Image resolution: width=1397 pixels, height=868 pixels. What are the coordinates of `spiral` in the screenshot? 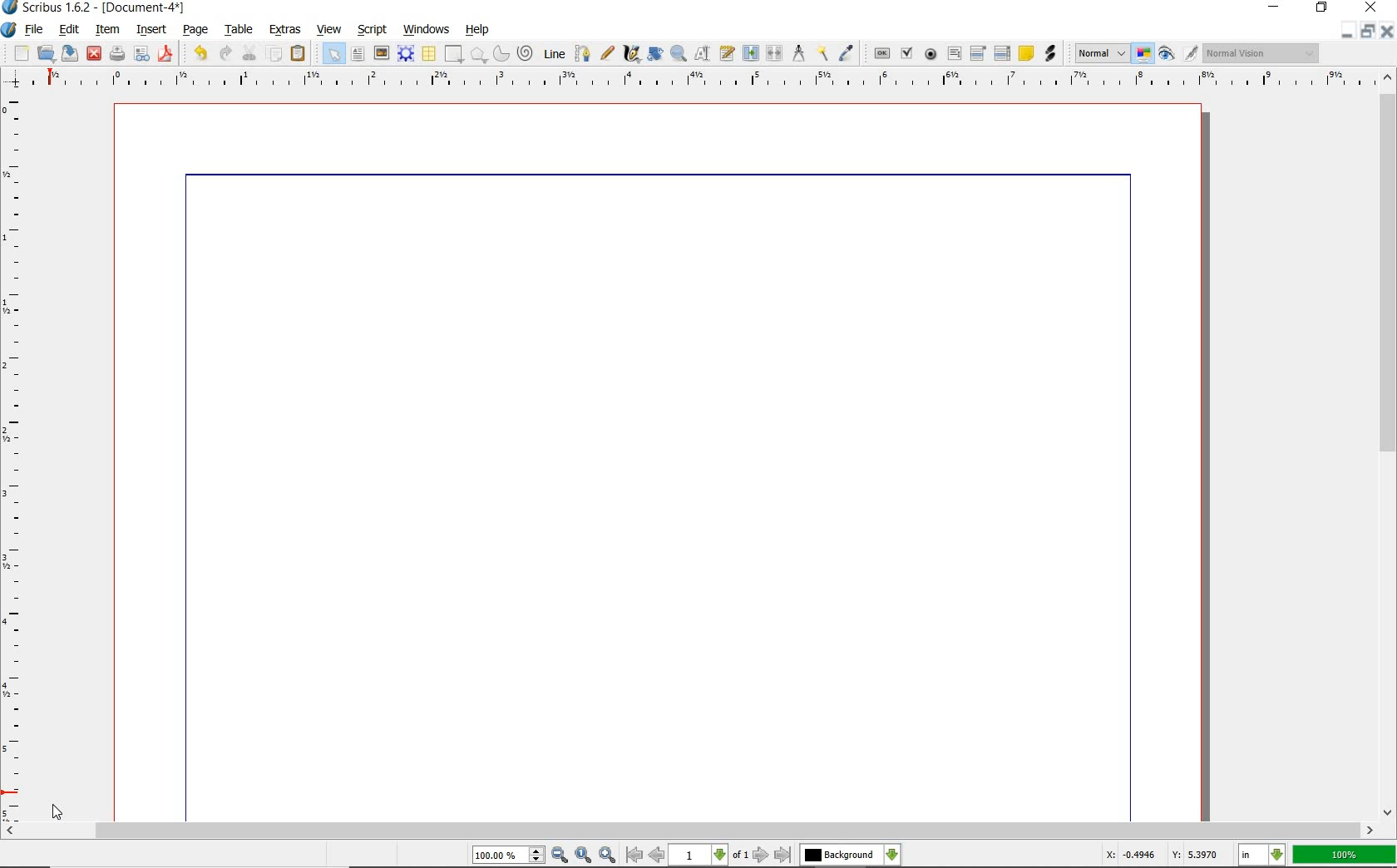 It's located at (526, 53).